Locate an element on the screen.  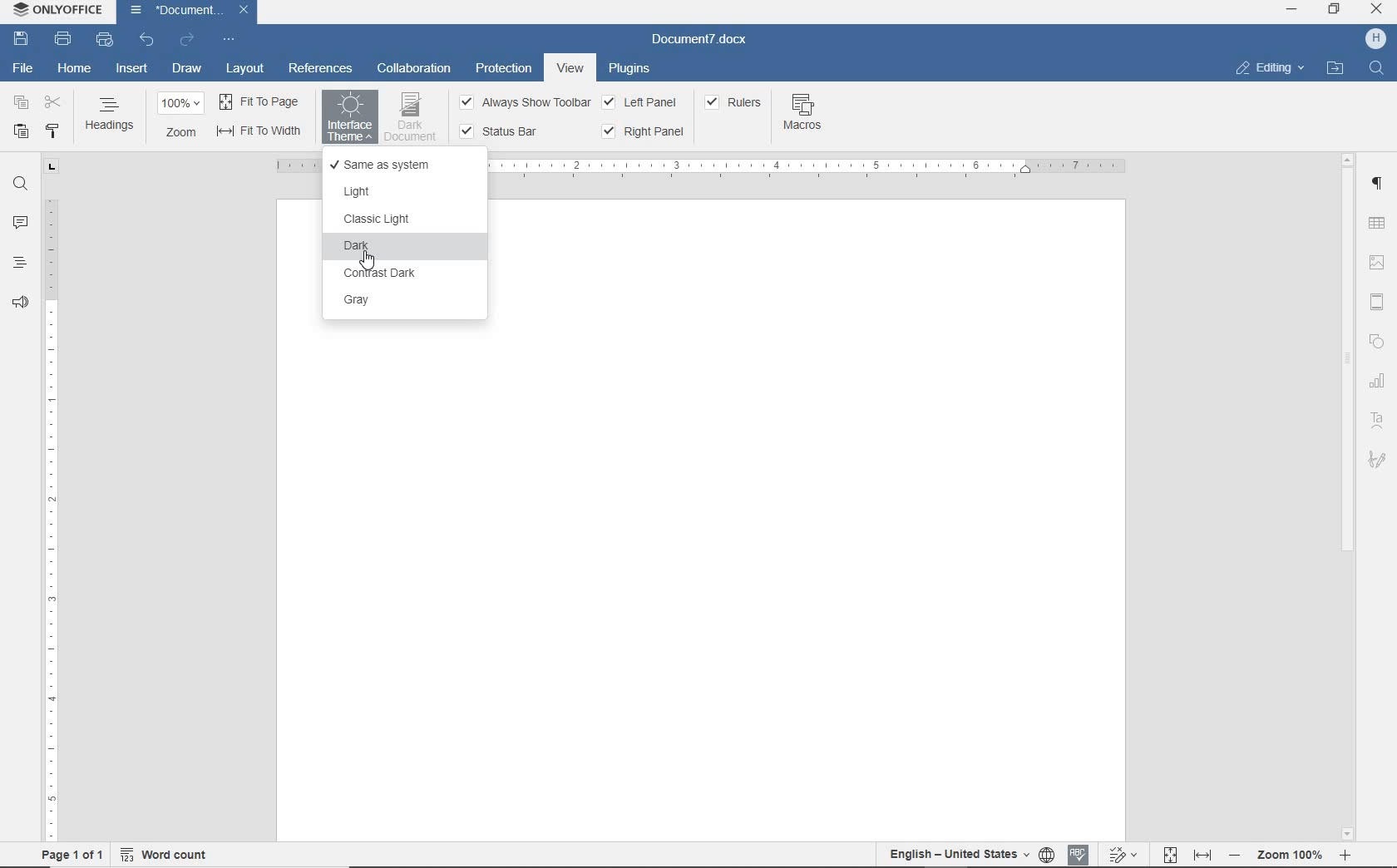
INSERT is located at coordinates (131, 70).